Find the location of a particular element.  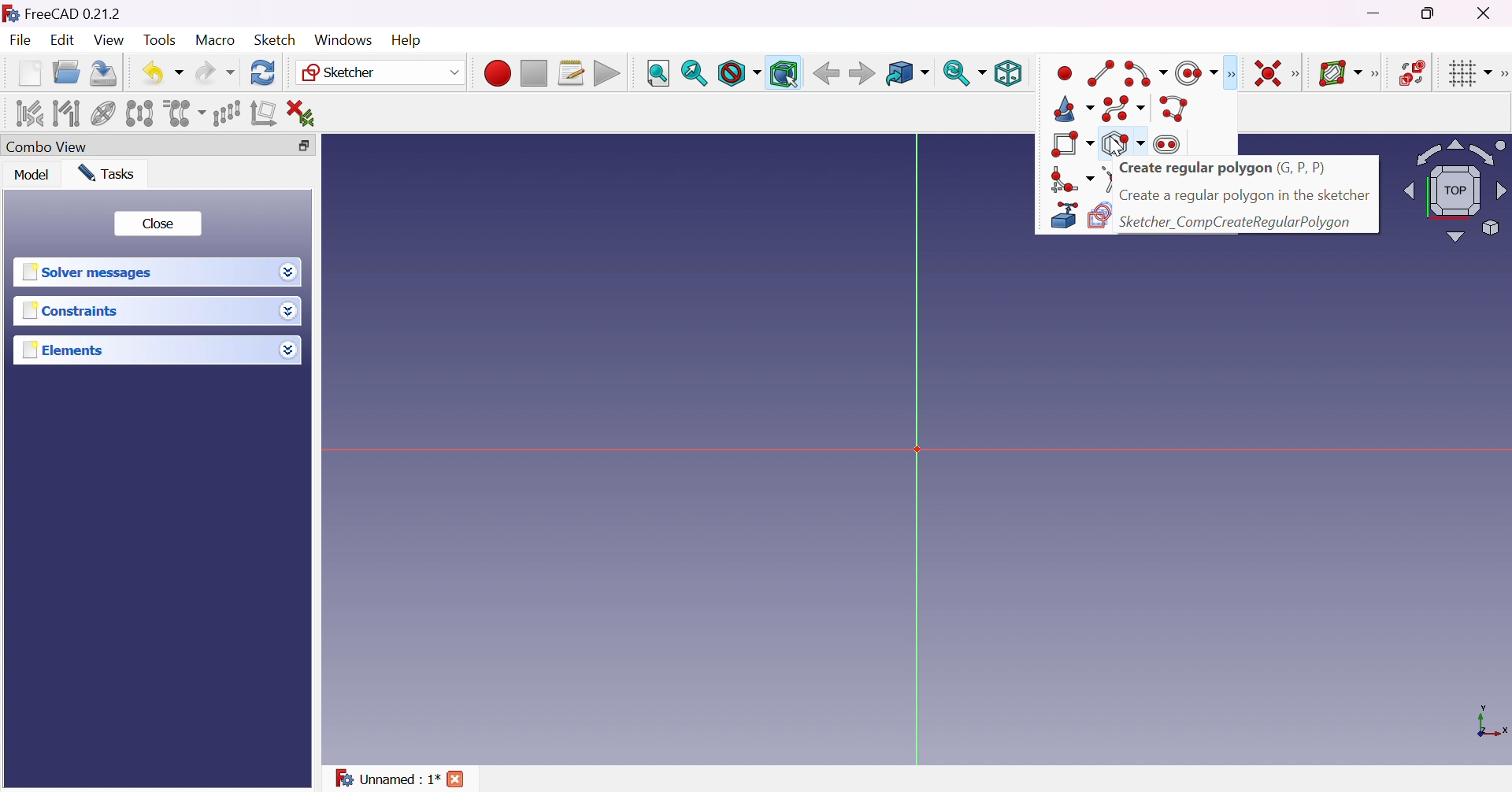

Create polyline is located at coordinates (1175, 109).